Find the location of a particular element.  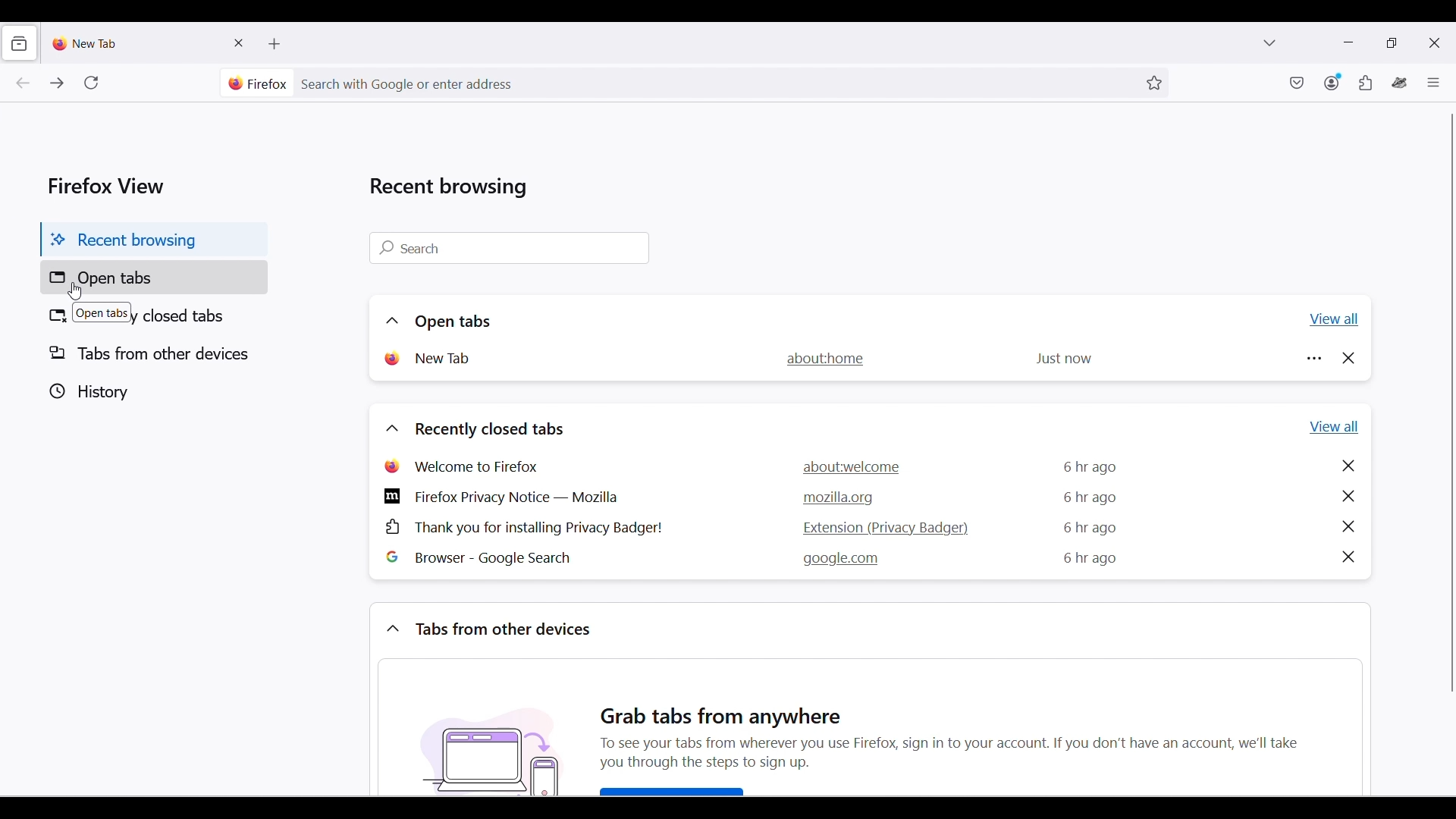

Welcome to Firefox is located at coordinates (469, 465).